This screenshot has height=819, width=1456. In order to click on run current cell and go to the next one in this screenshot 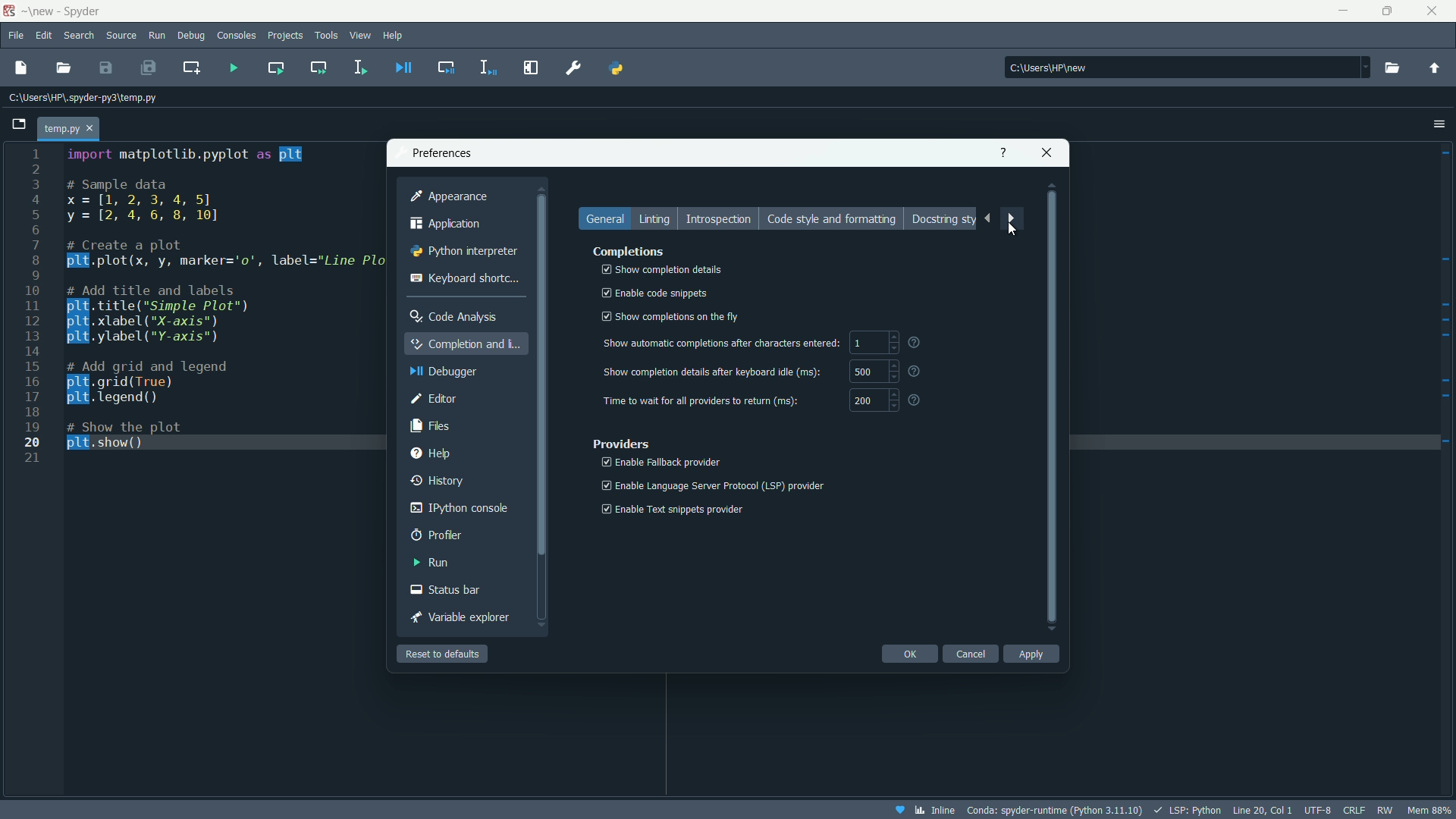, I will do `click(319, 67)`.